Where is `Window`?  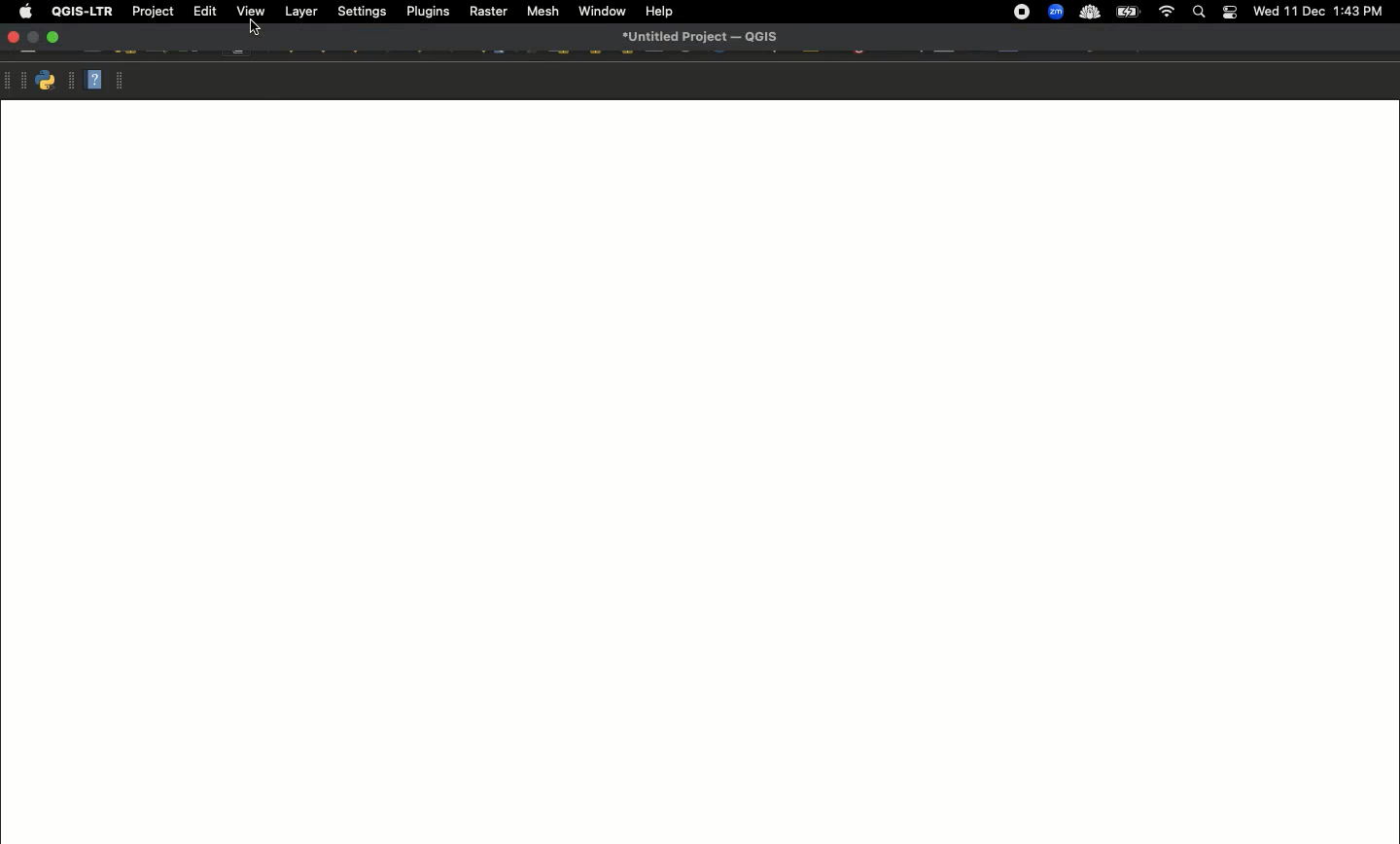 Window is located at coordinates (602, 11).